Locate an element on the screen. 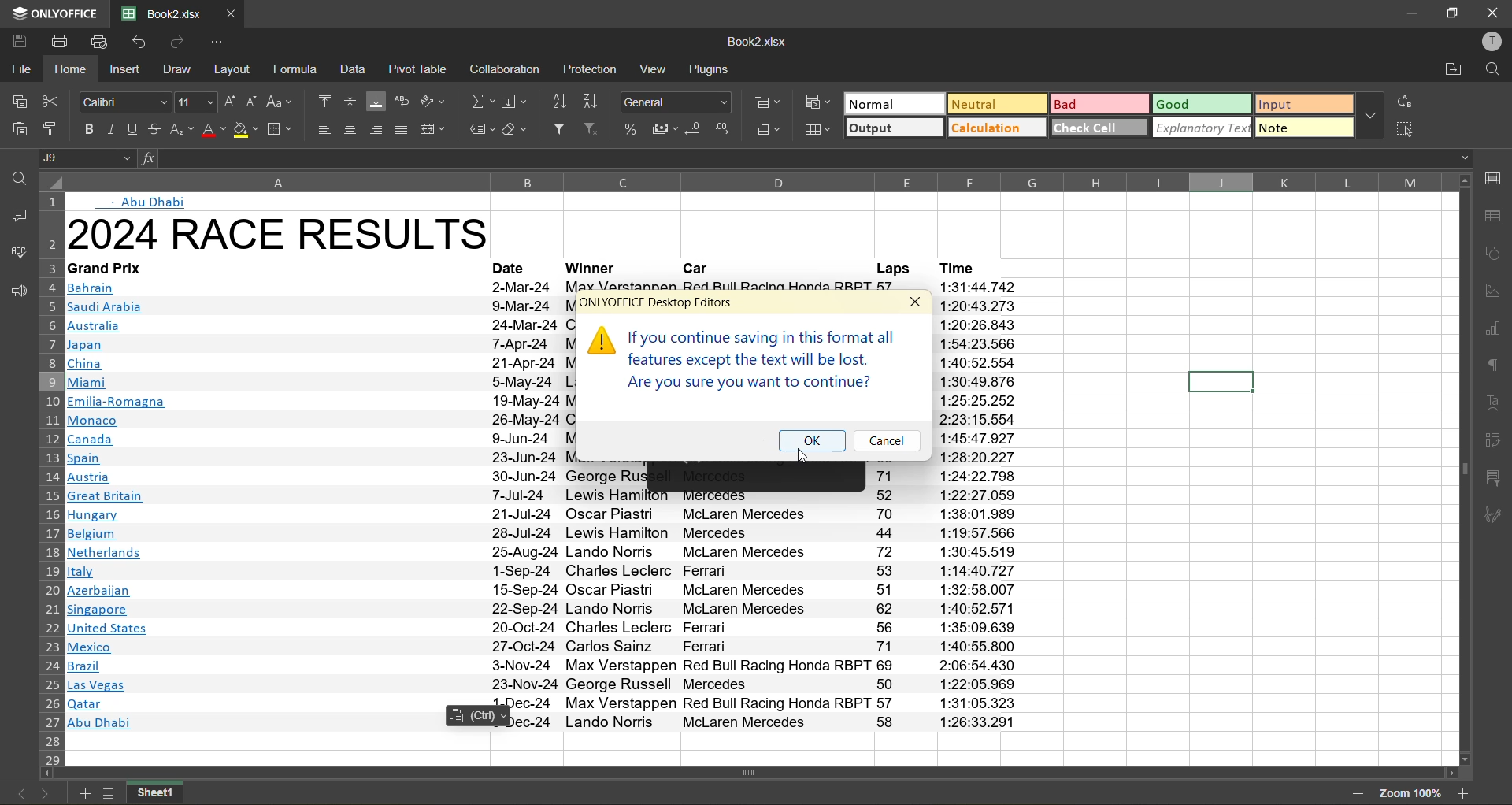  laps is located at coordinates (898, 267).